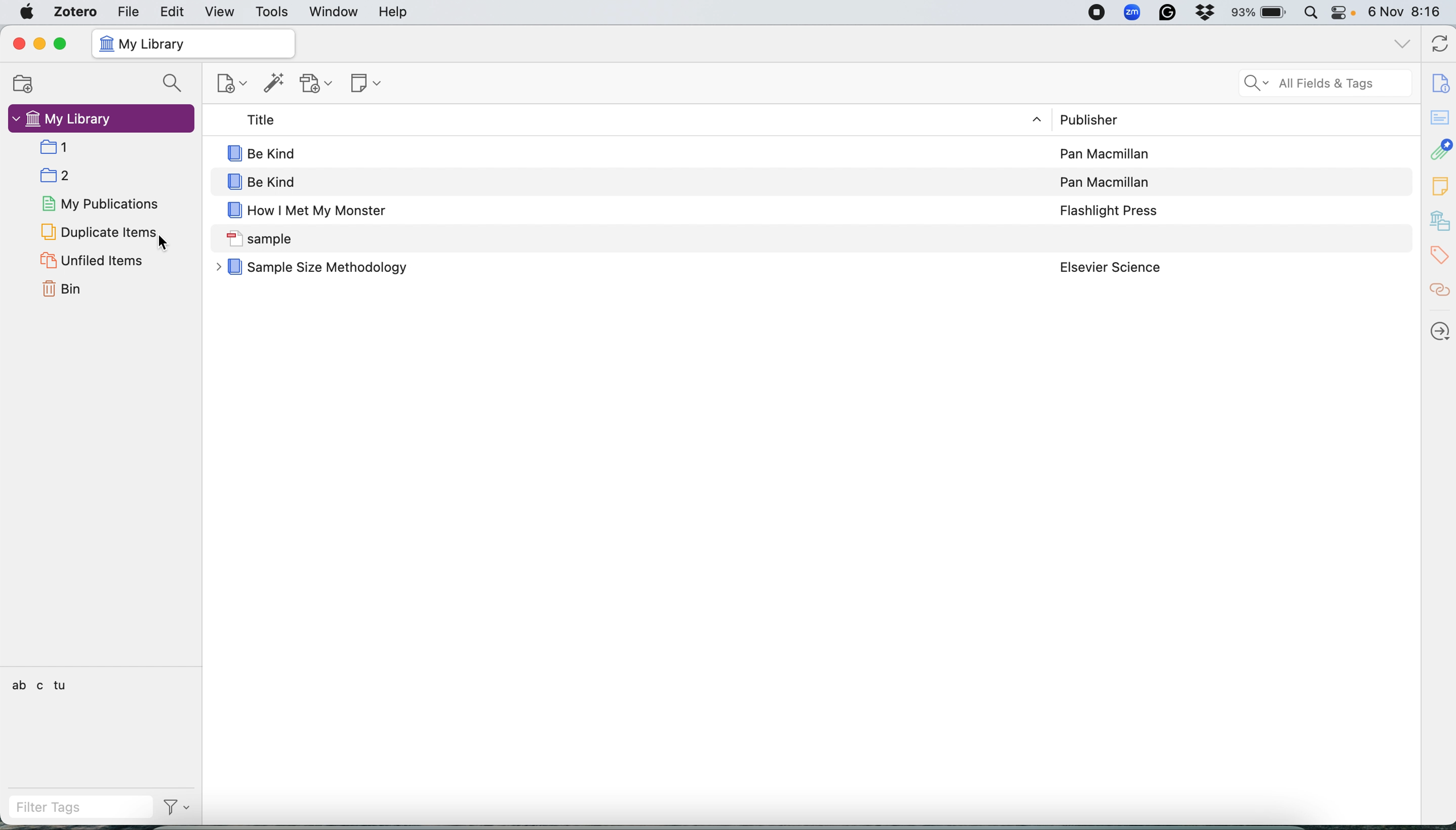  Describe the element at coordinates (1028, 119) in the screenshot. I see `sort` at that location.